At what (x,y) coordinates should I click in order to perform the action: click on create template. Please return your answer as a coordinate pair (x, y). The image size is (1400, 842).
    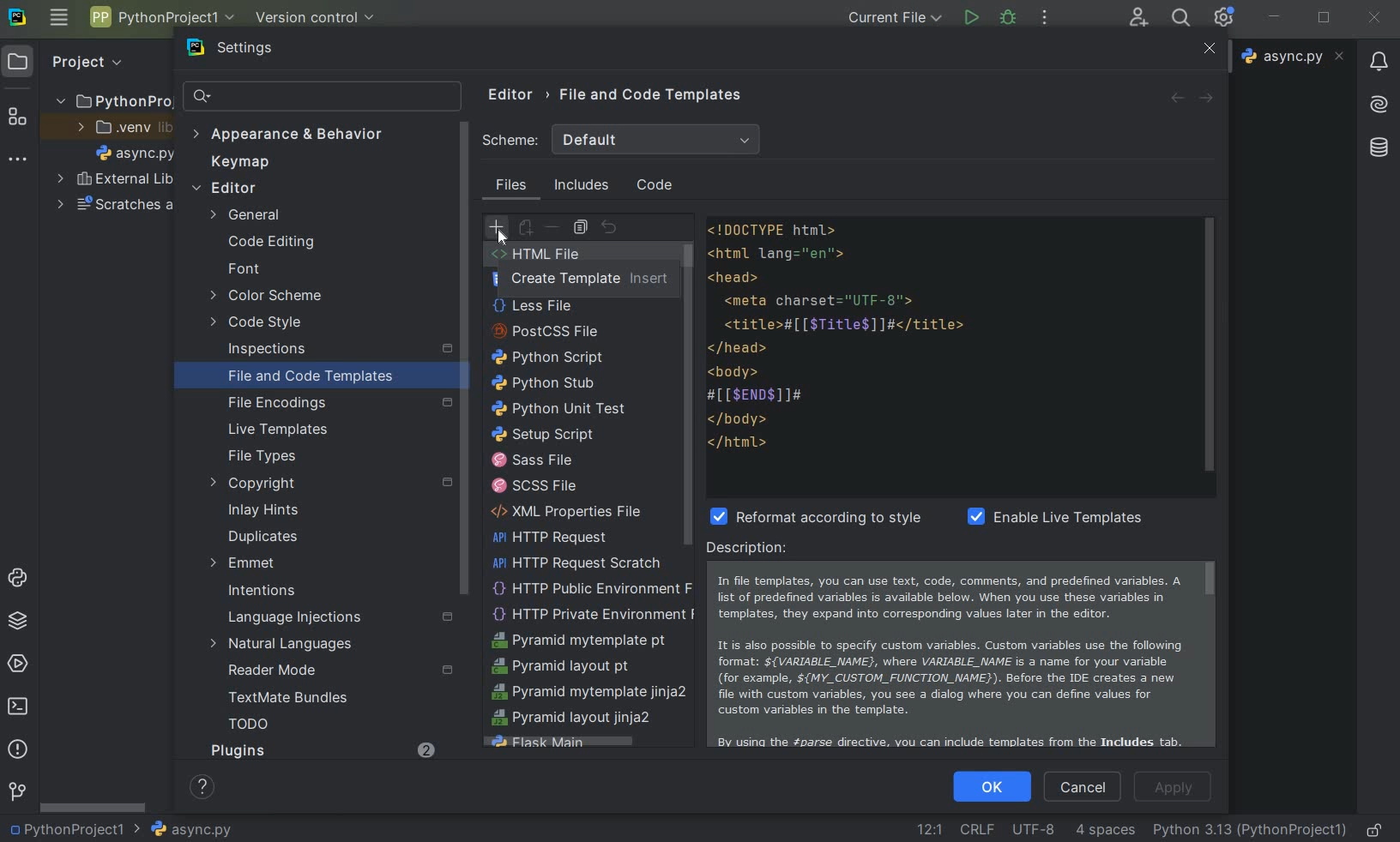
    Looking at the image, I should click on (497, 228).